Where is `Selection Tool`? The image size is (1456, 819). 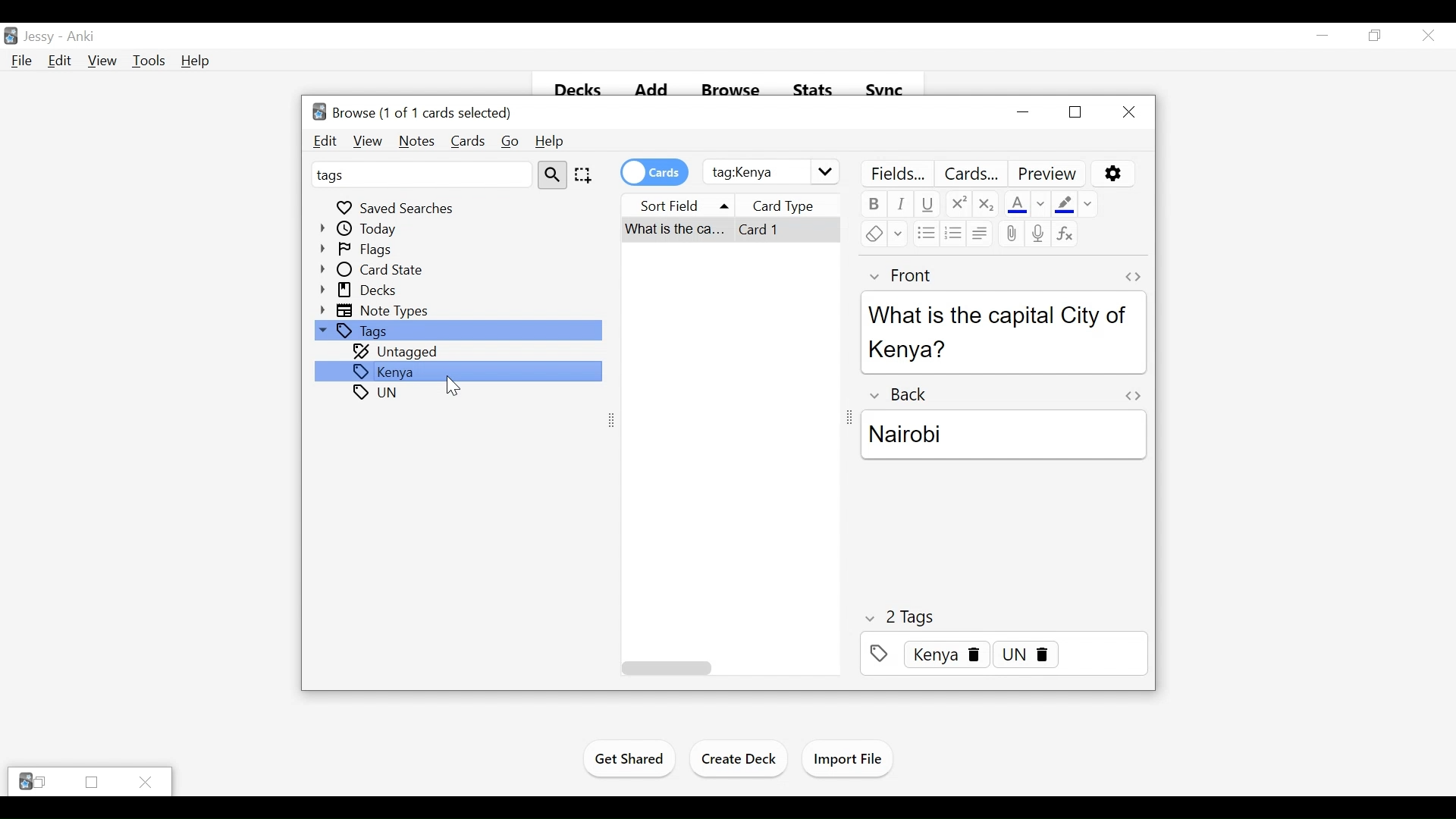
Selection Tool is located at coordinates (582, 174).